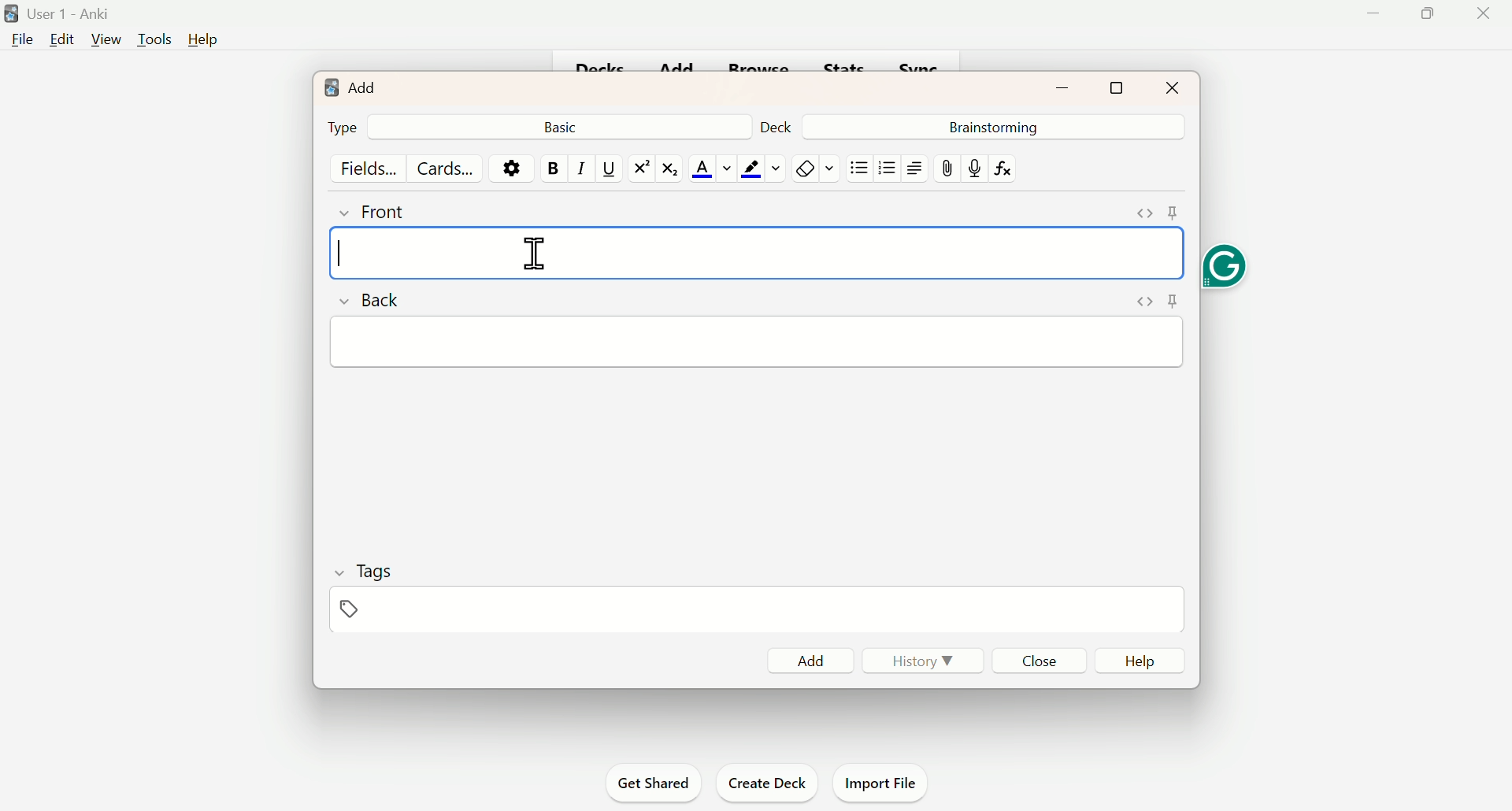 The width and height of the screenshot is (1512, 811). What do you see at coordinates (884, 167) in the screenshot?
I see `Organised List` at bounding box center [884, 167].